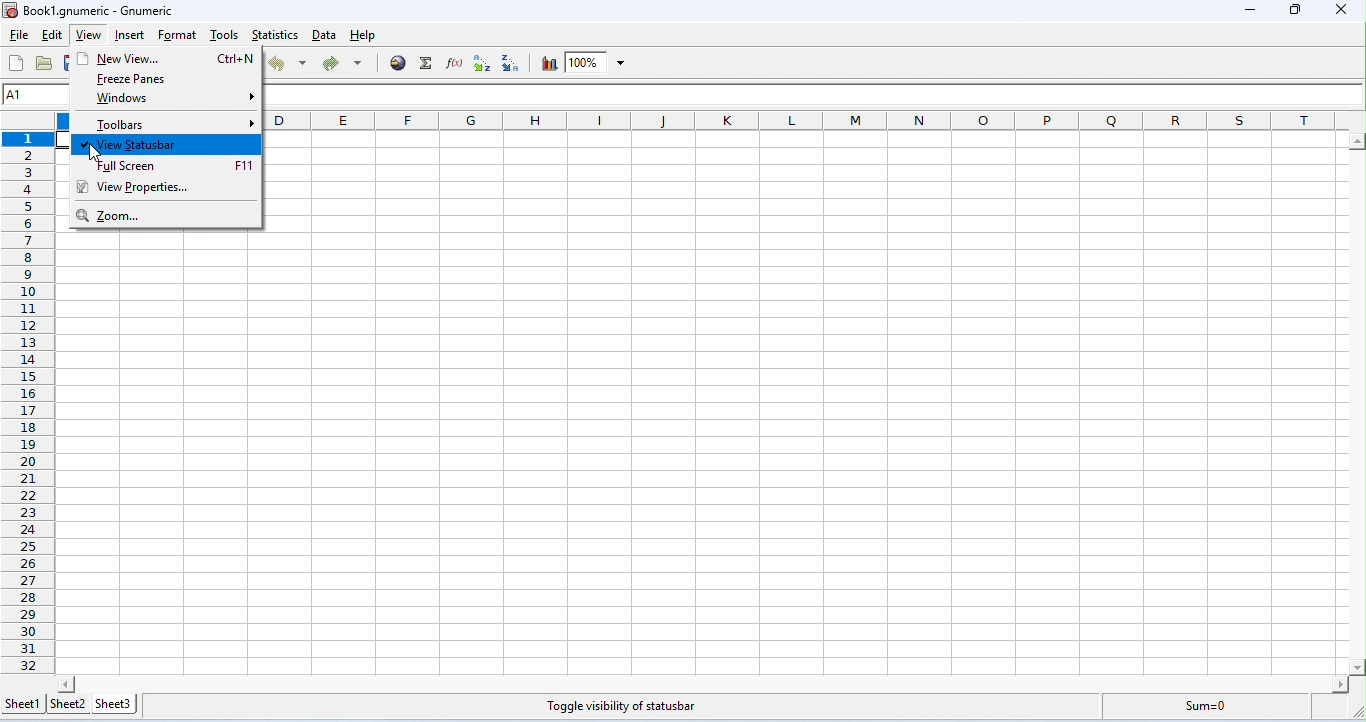 This screenshot has width=1366, height=722. What do you see at coordinates (363, 36) in the screenshot?
I see `help` at bounding box center [363, 36].